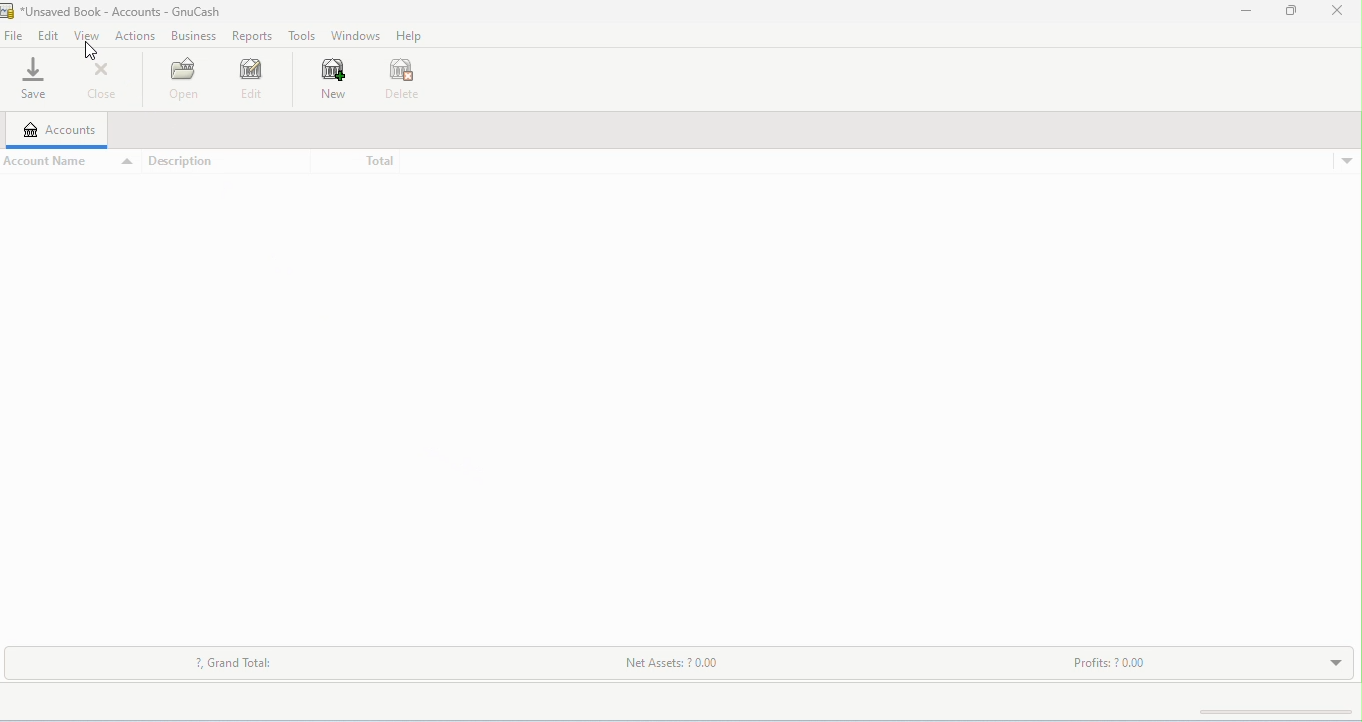 The width and height of the screenshot is (1362, 722). Describe the element at coordinates (92, 49) in the screenshot. I see `cursor` at that location.